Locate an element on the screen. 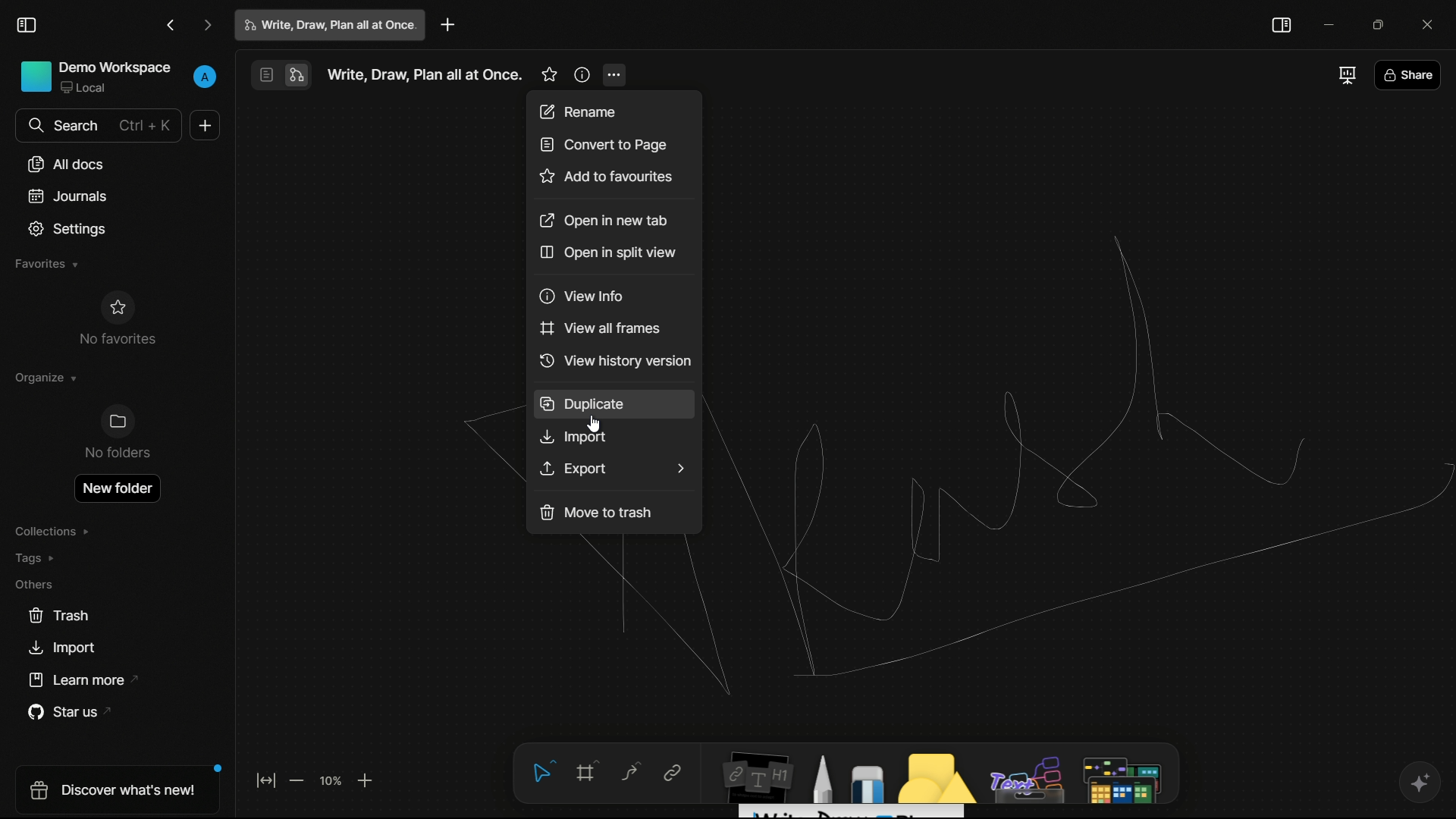  go forward is located at coordinates (210, 27).